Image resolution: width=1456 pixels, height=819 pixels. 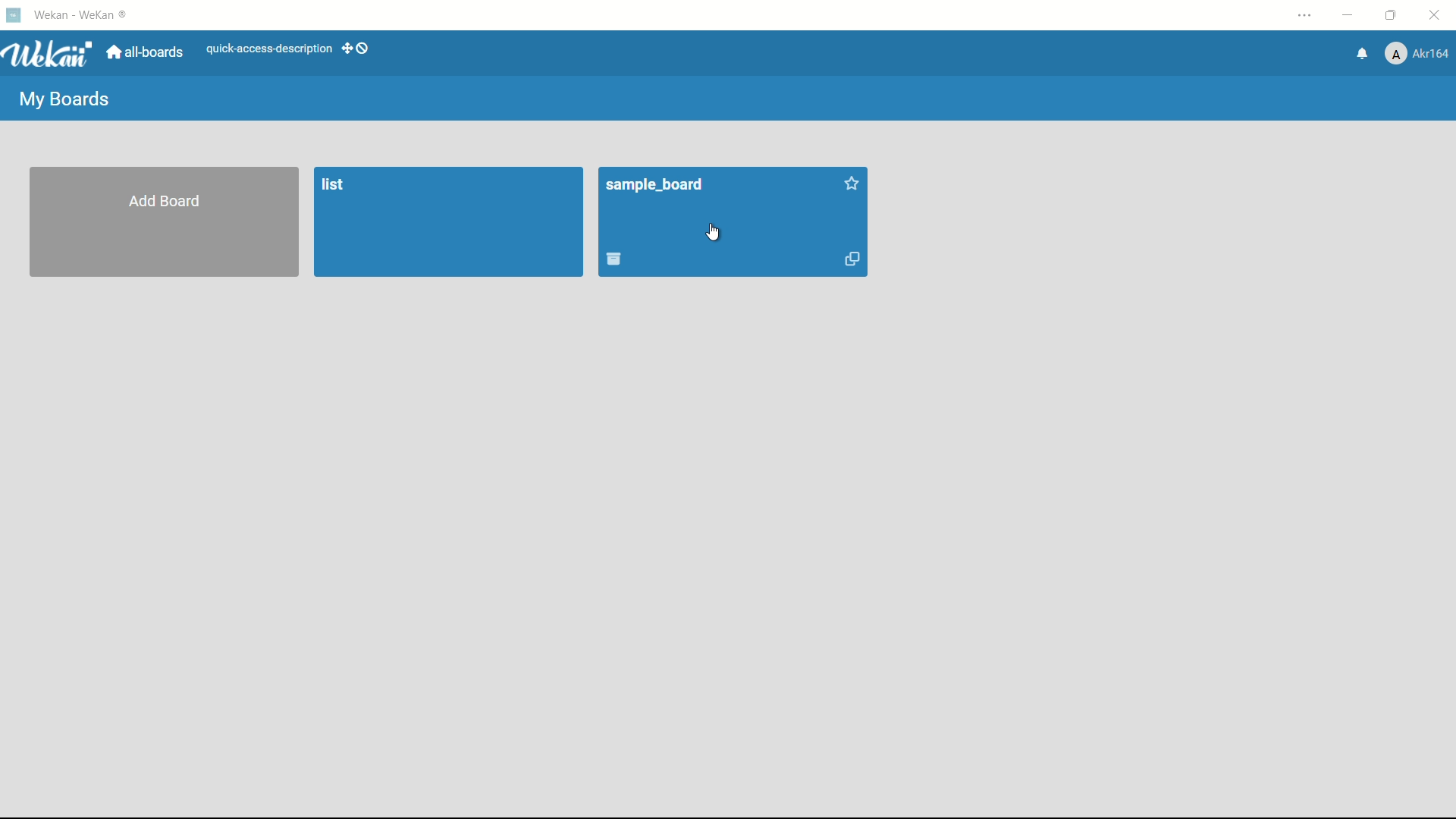 I want to click on add board, so click(x=165, y=202).